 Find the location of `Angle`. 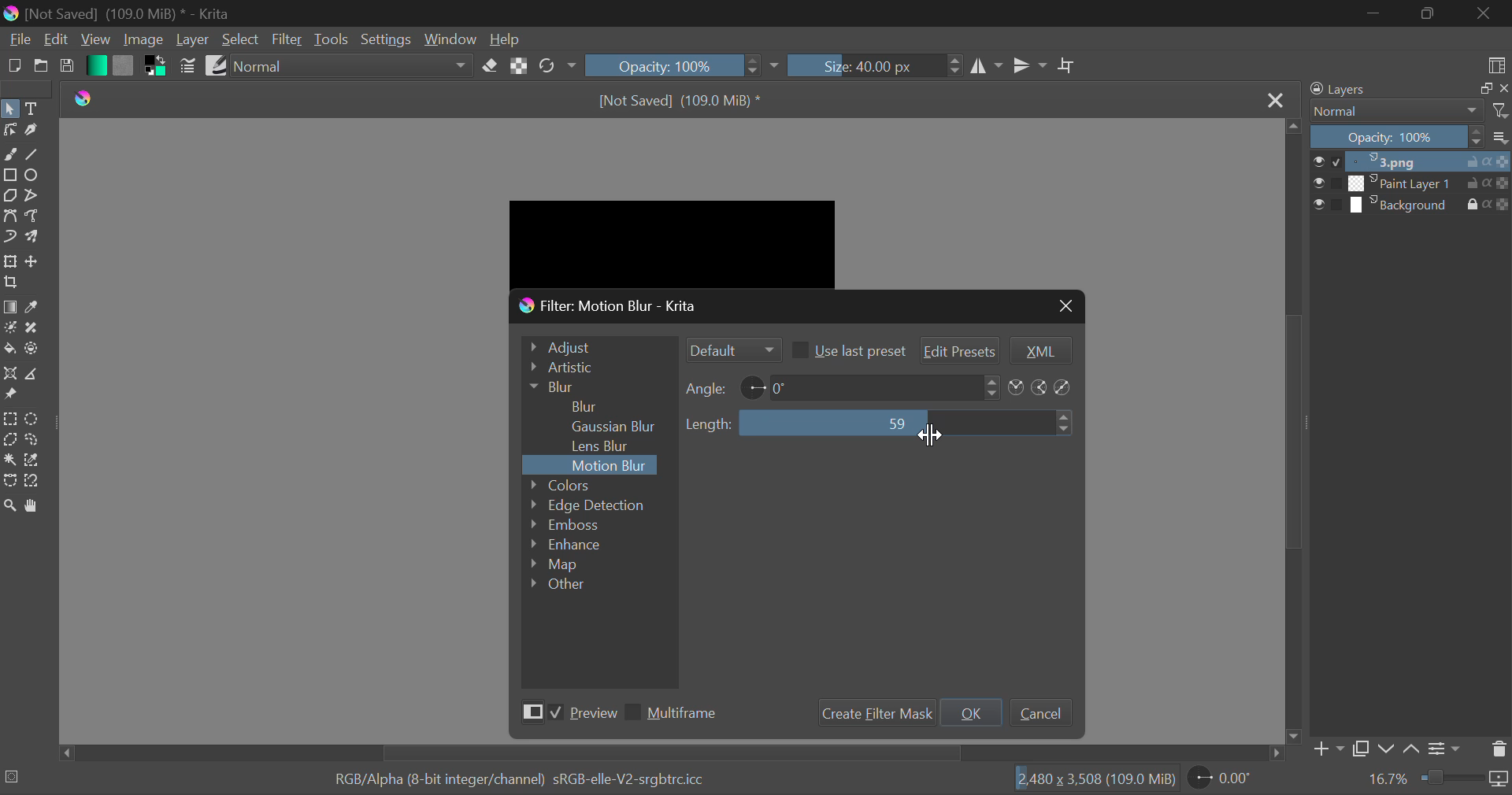

Angle is located at coordinates (707, 388).